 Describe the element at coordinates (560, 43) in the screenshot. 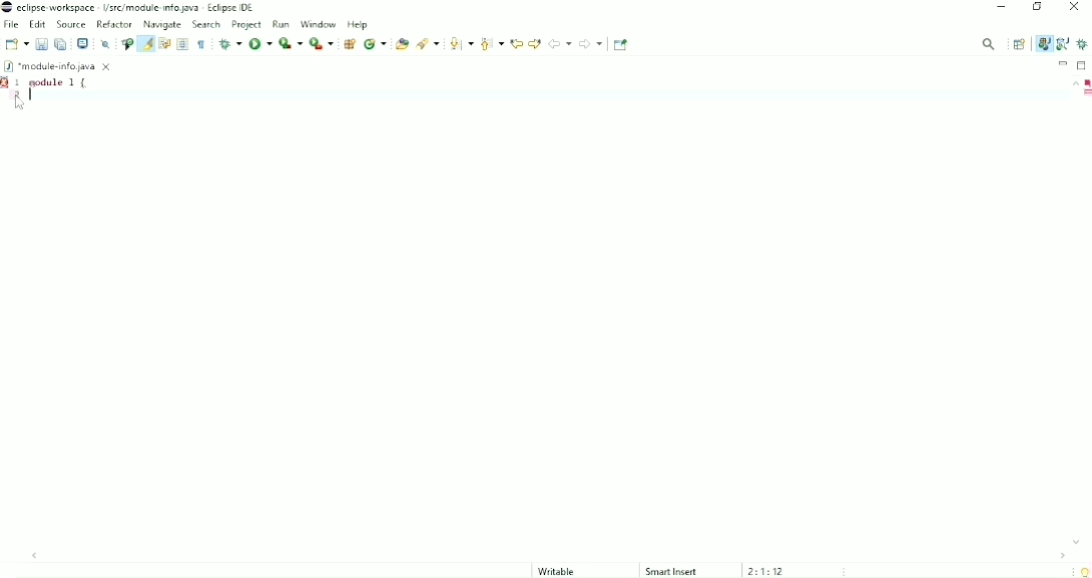

I see `Back` at that location.